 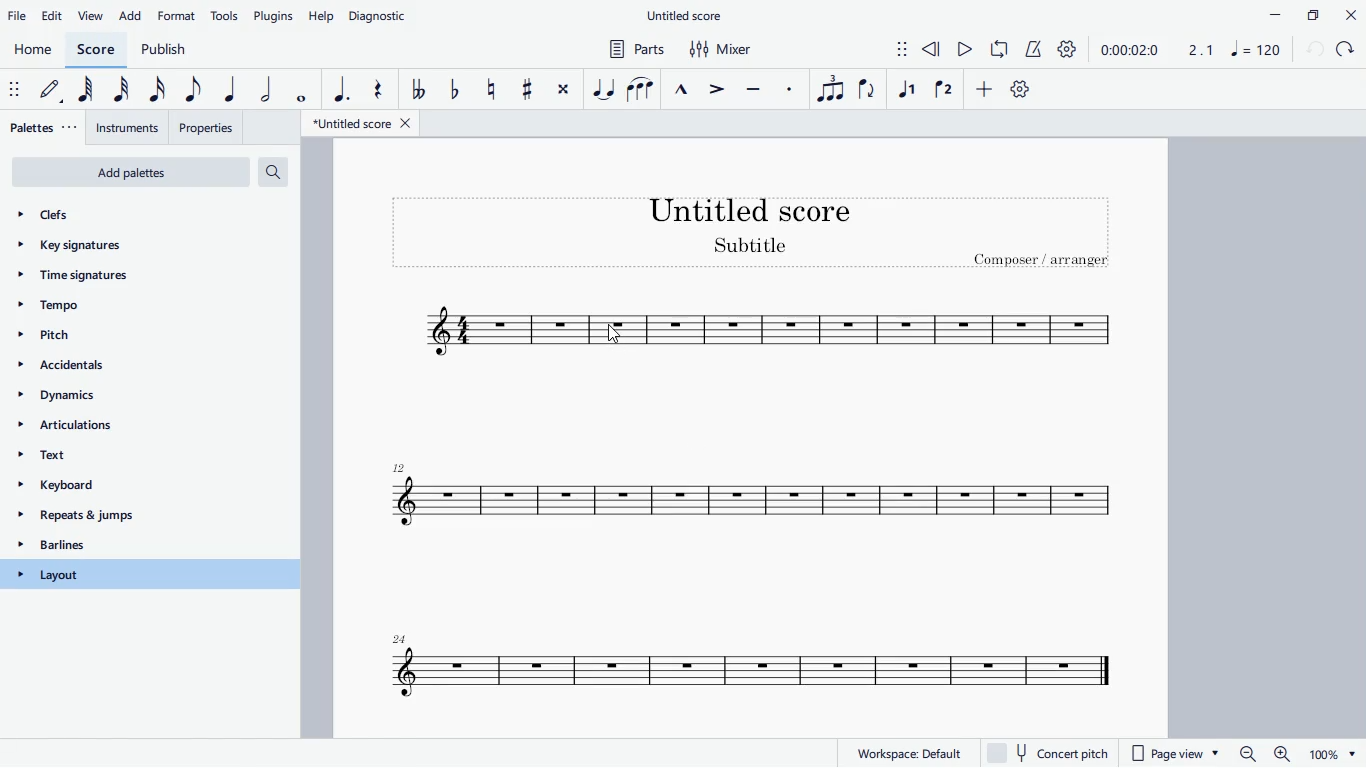 I want to click on back, so click(x=1314, y=50).